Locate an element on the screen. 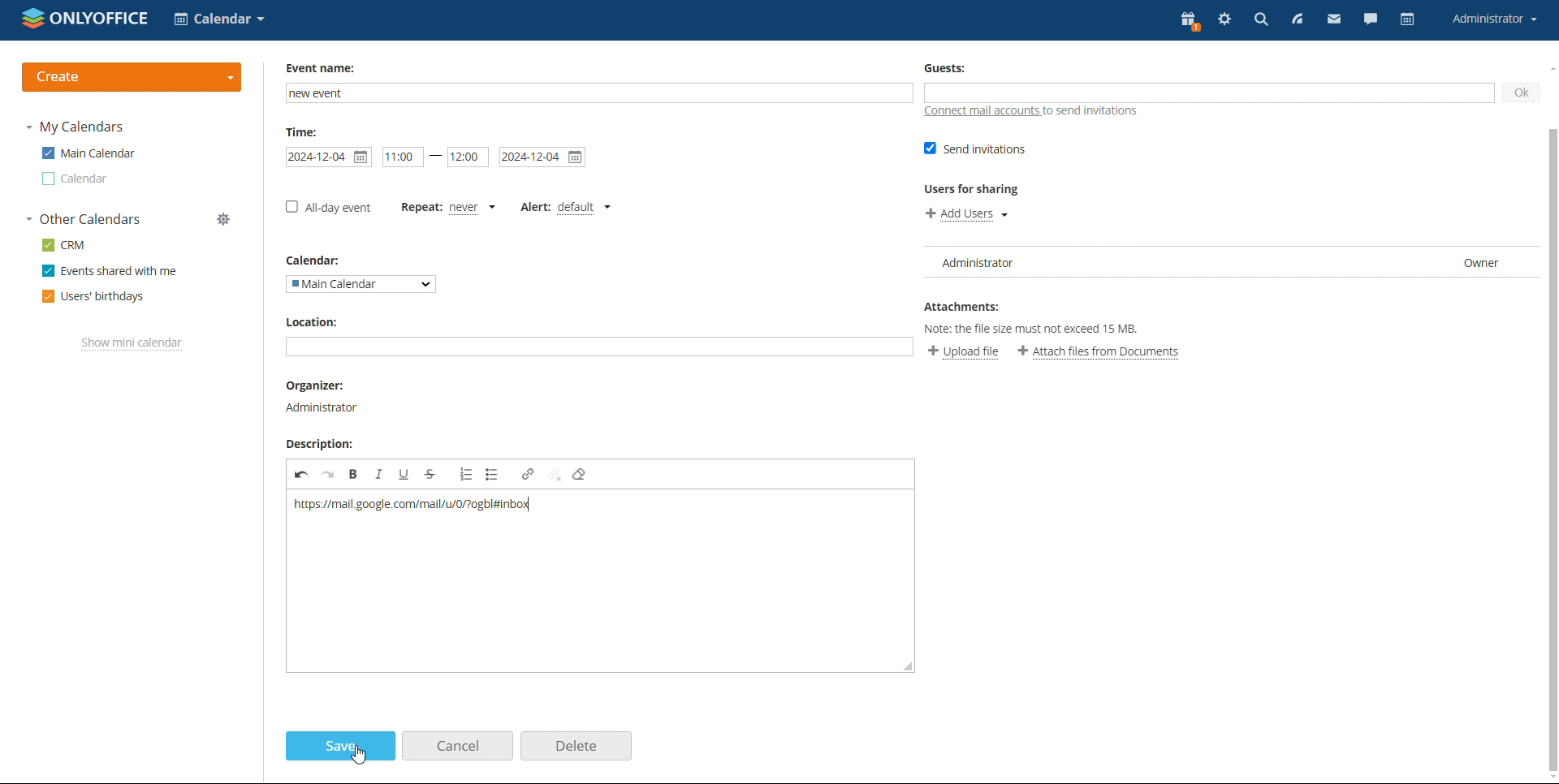 Image resolution: width=1559 pixels, height=784 pixels. insert/remove bulleted list is located at coordinates (494, 475).